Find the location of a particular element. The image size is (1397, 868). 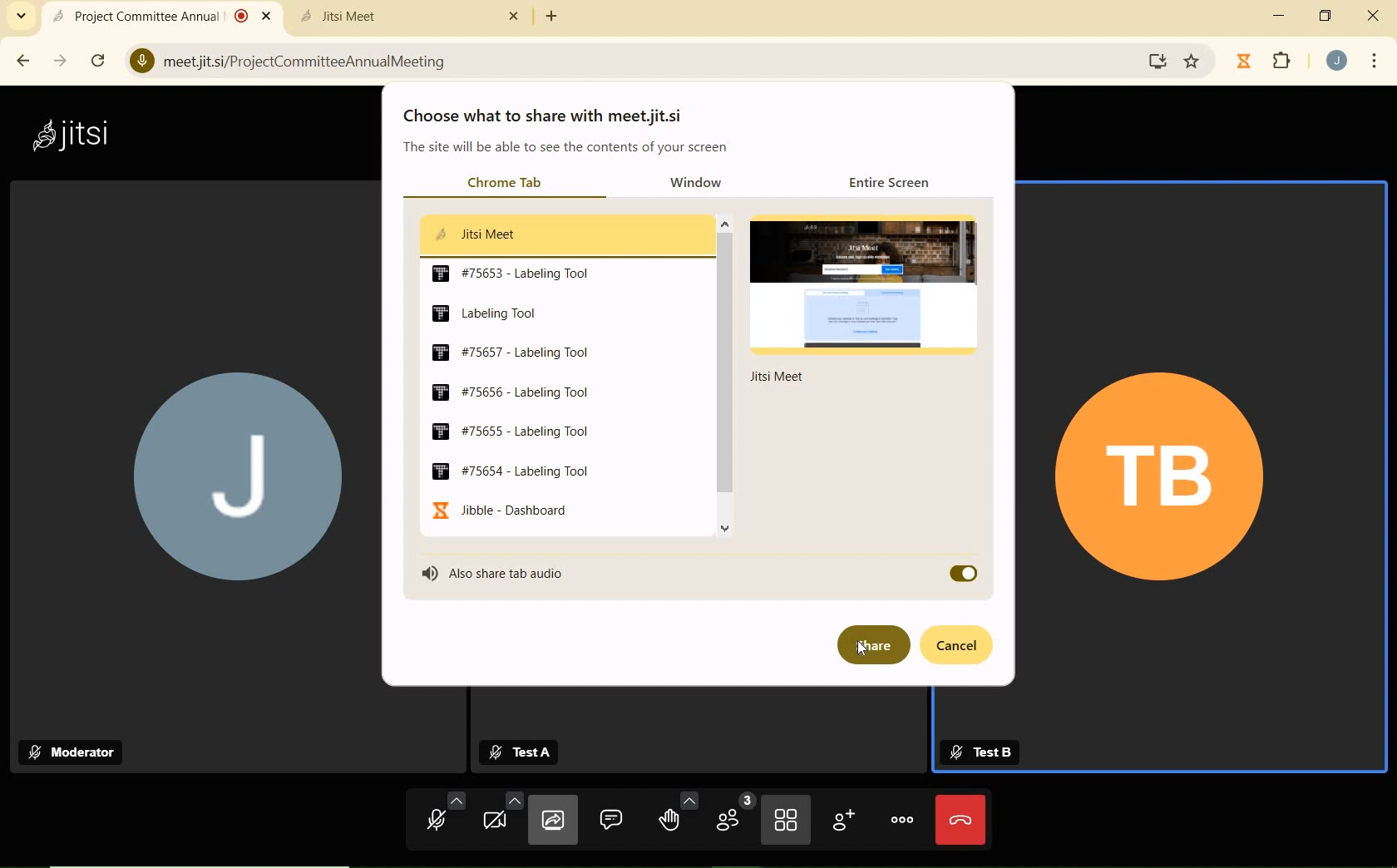

share is located at coordinates (871, 645).